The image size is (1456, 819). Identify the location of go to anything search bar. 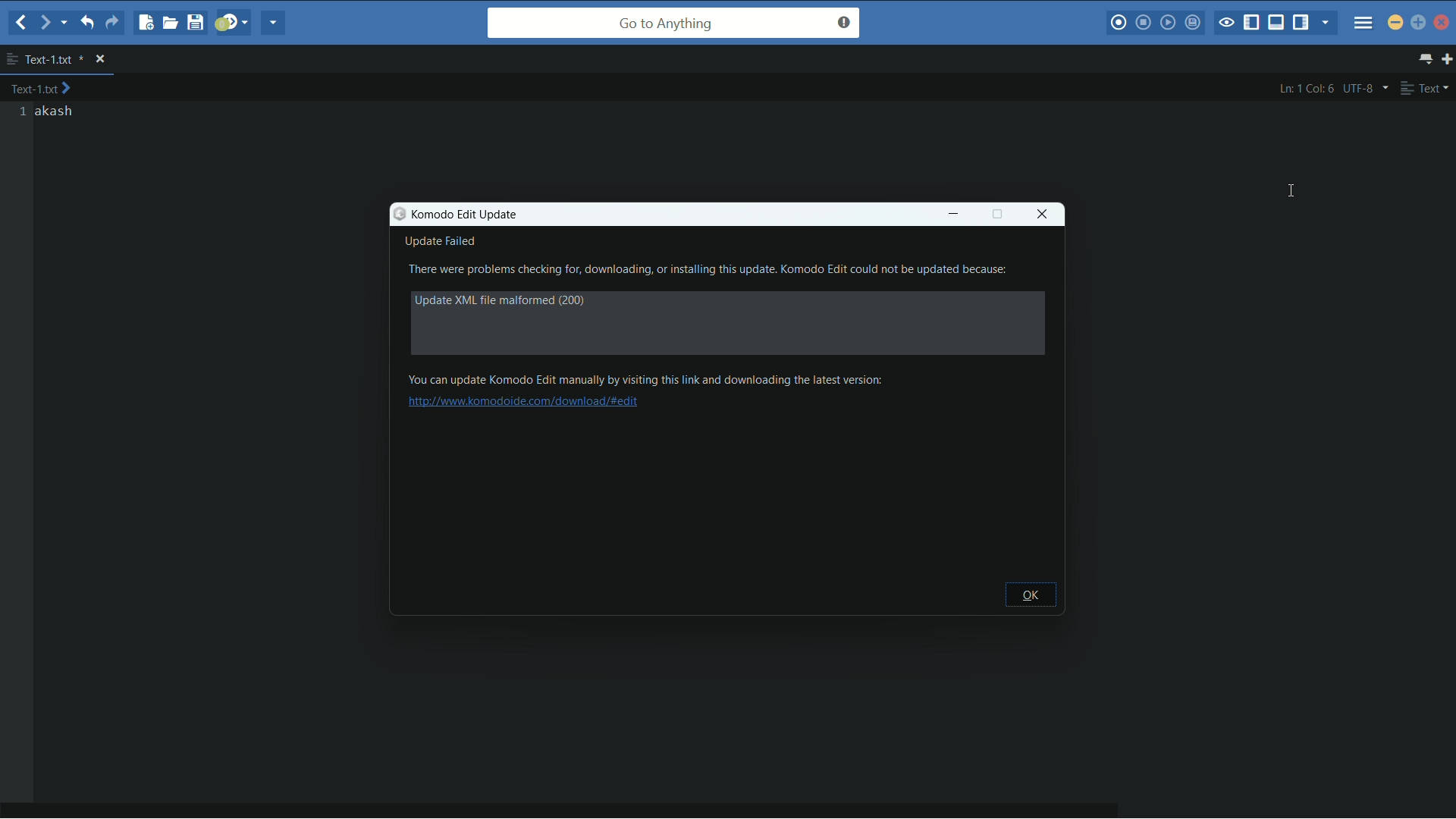
(673, 23).